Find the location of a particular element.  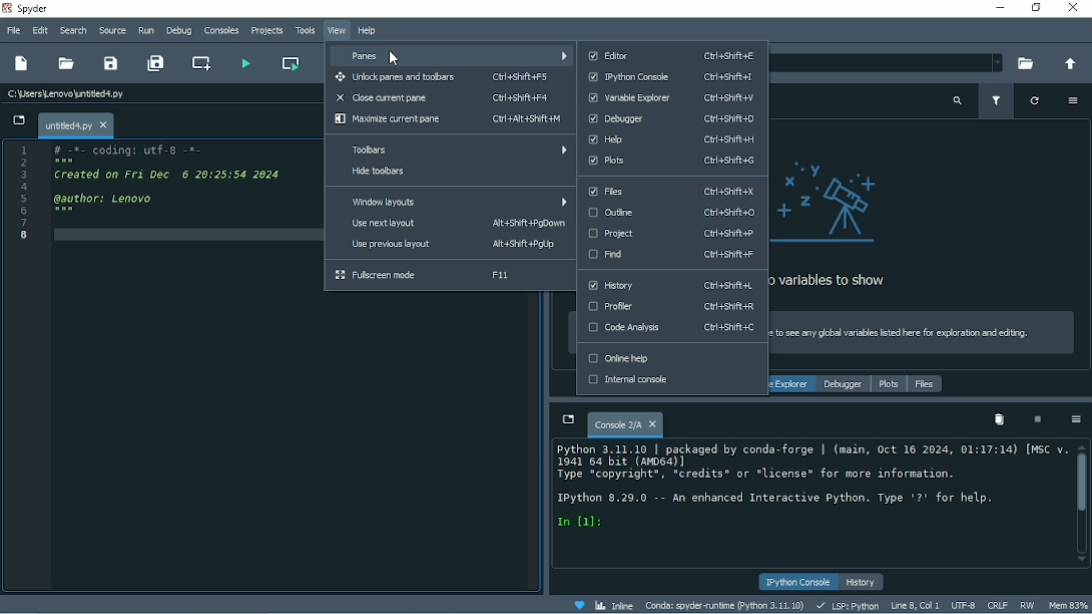

History is located at coordinates (670, 287).